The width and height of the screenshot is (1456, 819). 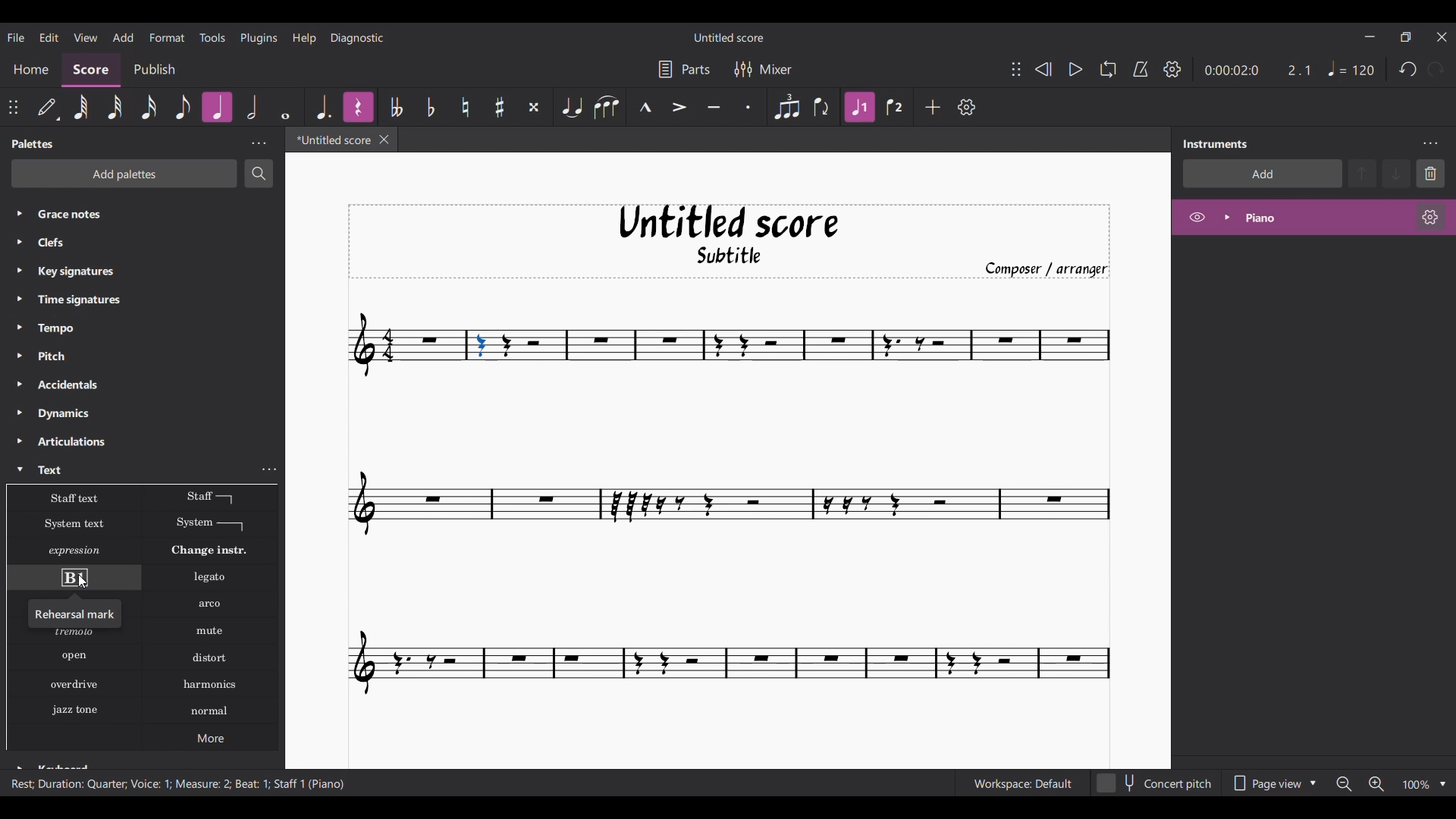 What do you see at coordinates (124, 174) in the screenshot?
I see `Add palettes` at bounding box center [124, 174].